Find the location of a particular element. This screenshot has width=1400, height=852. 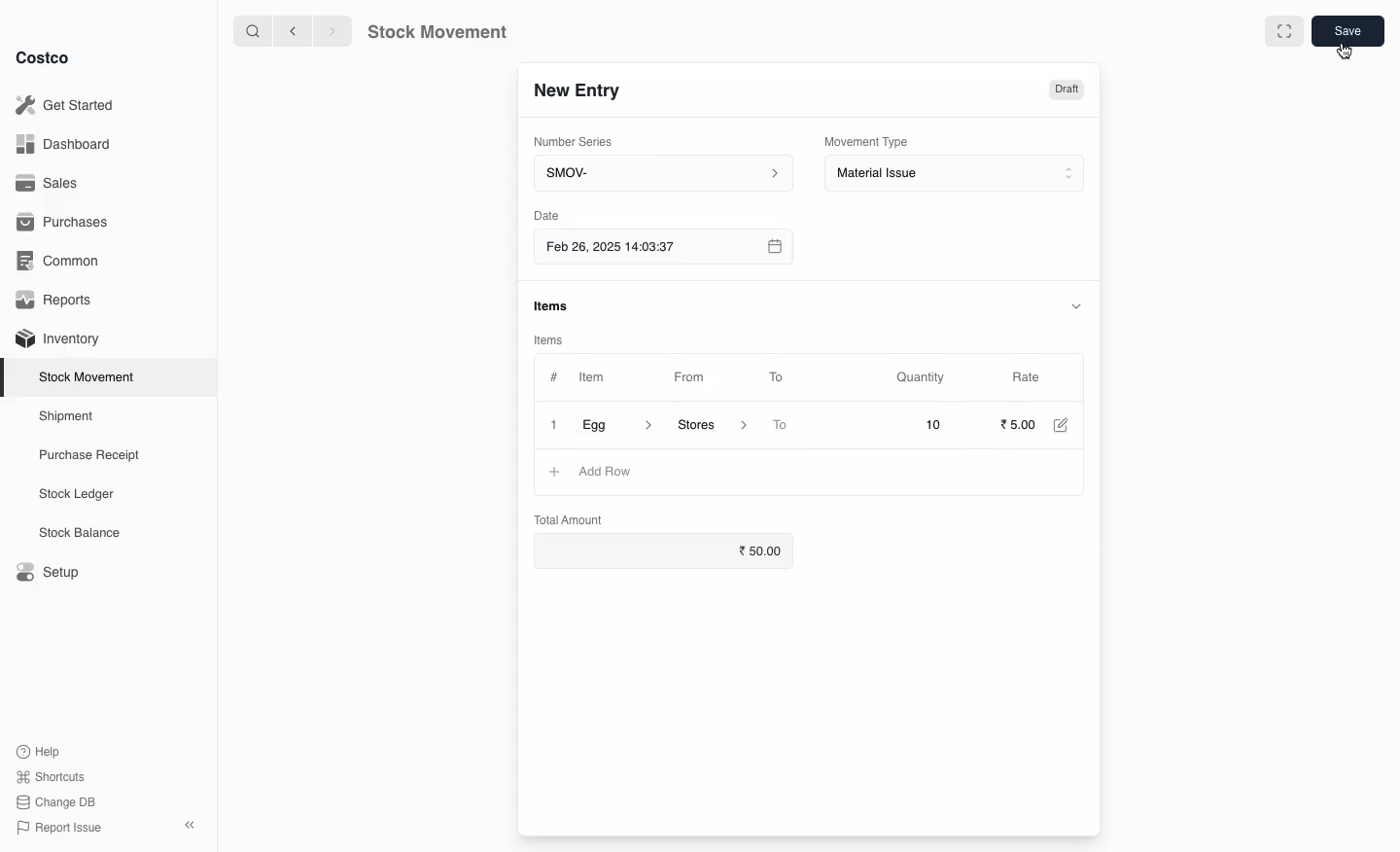

Inventory is located at coordinates (60, 339).